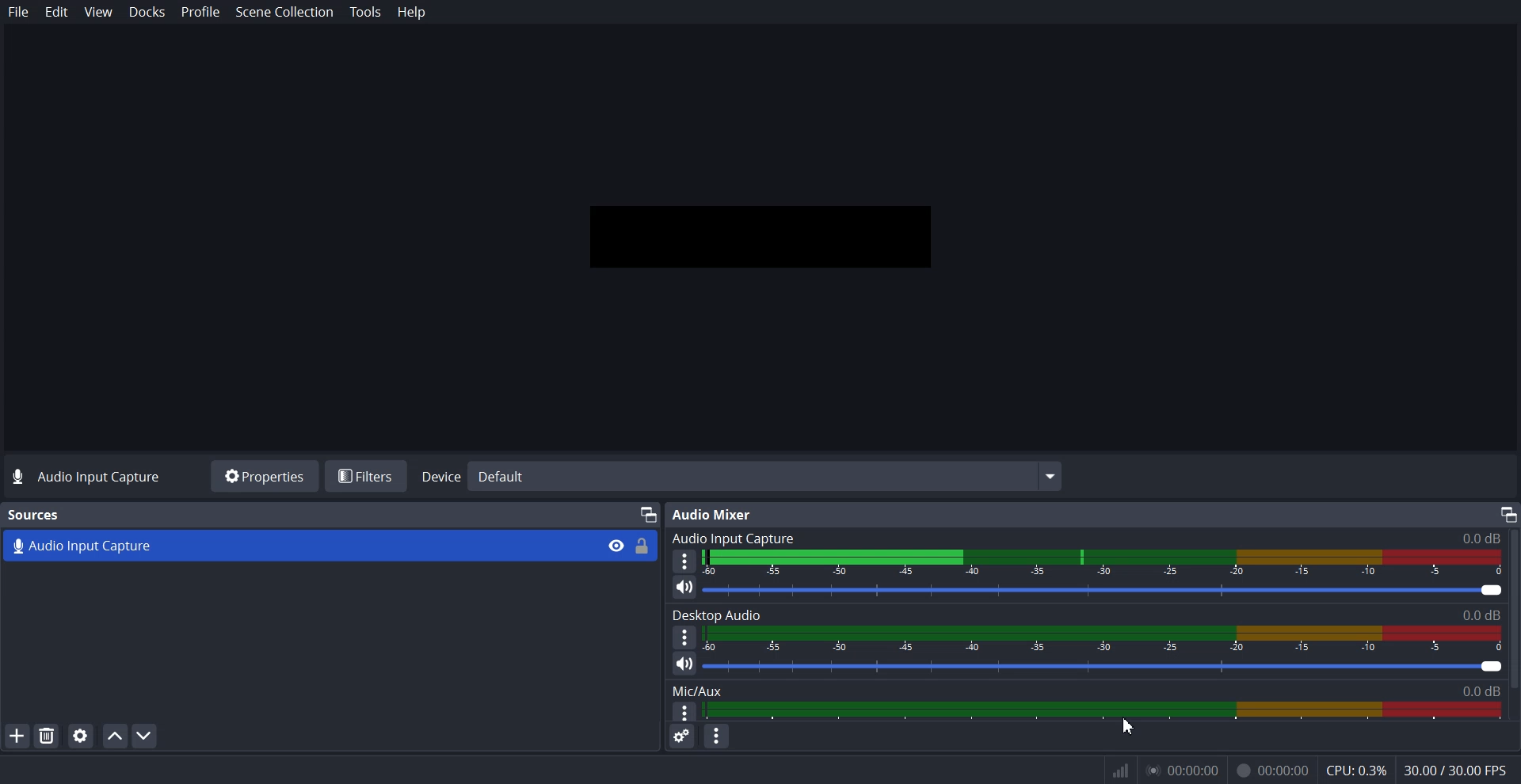 The image size is (1521, 784). I want to click on Move source up, so click(115, 736).